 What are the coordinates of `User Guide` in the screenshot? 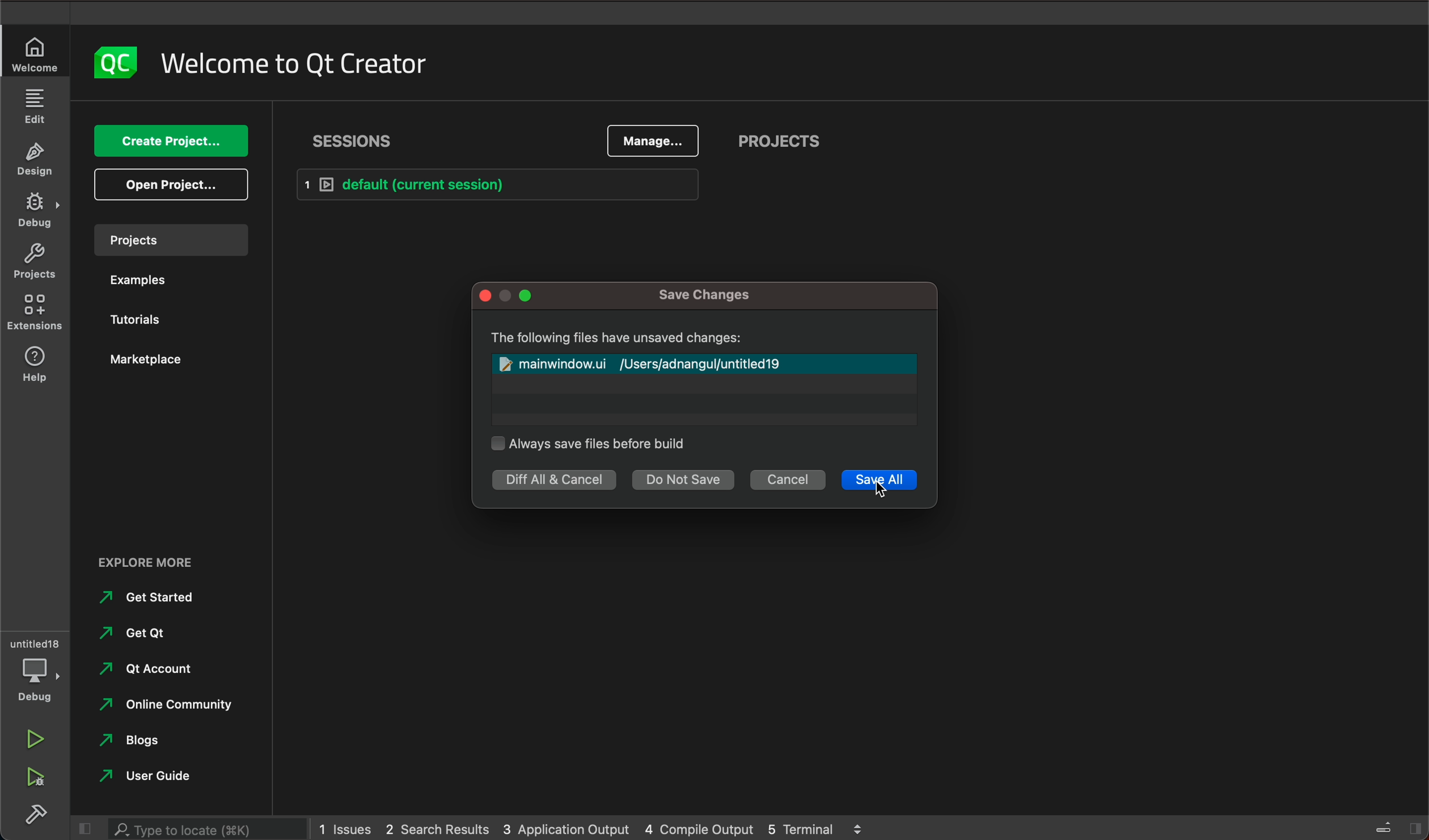 It's located at (144, 773).